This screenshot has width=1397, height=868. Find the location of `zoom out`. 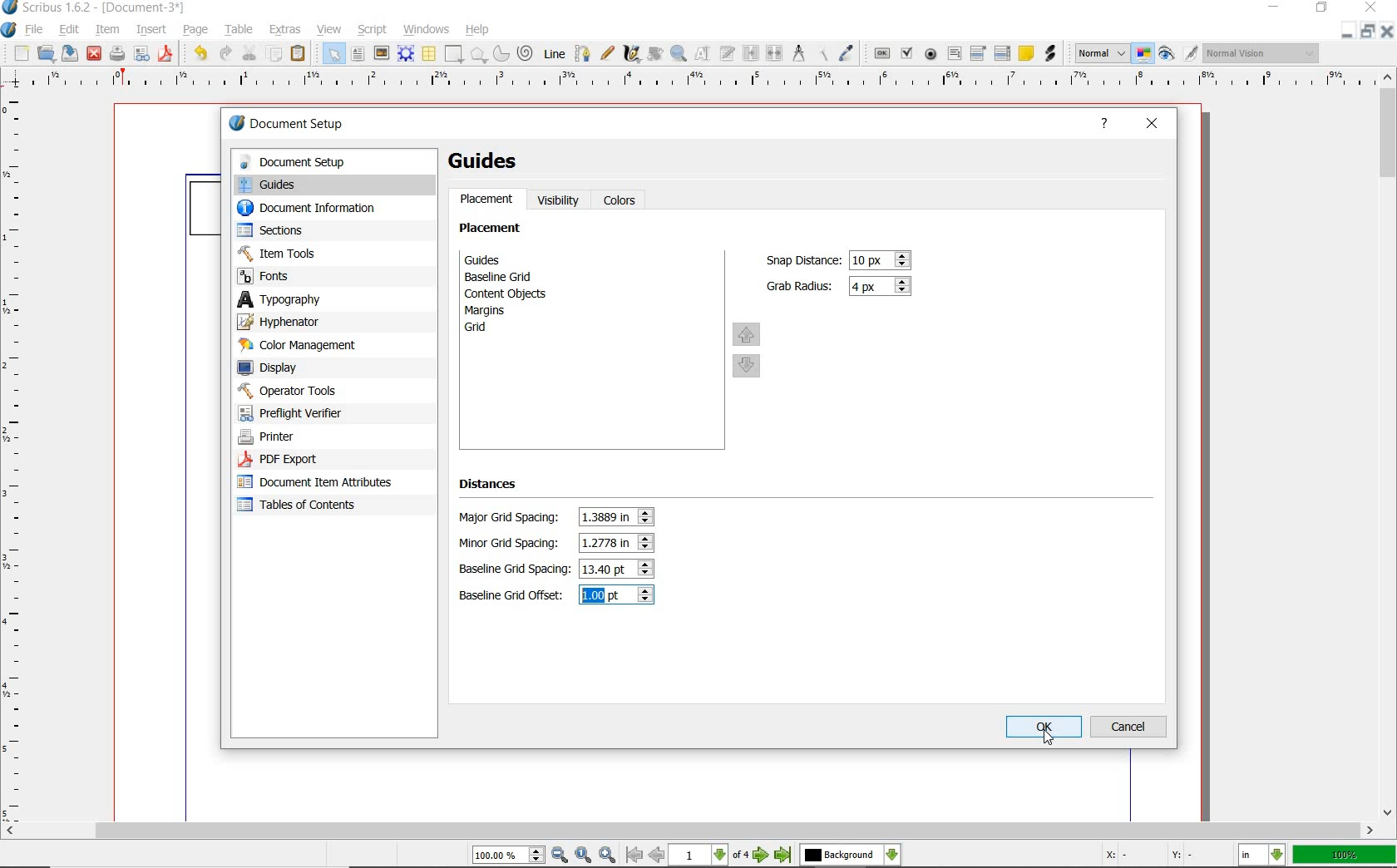

zoom out is located at coordinates (560, 856).